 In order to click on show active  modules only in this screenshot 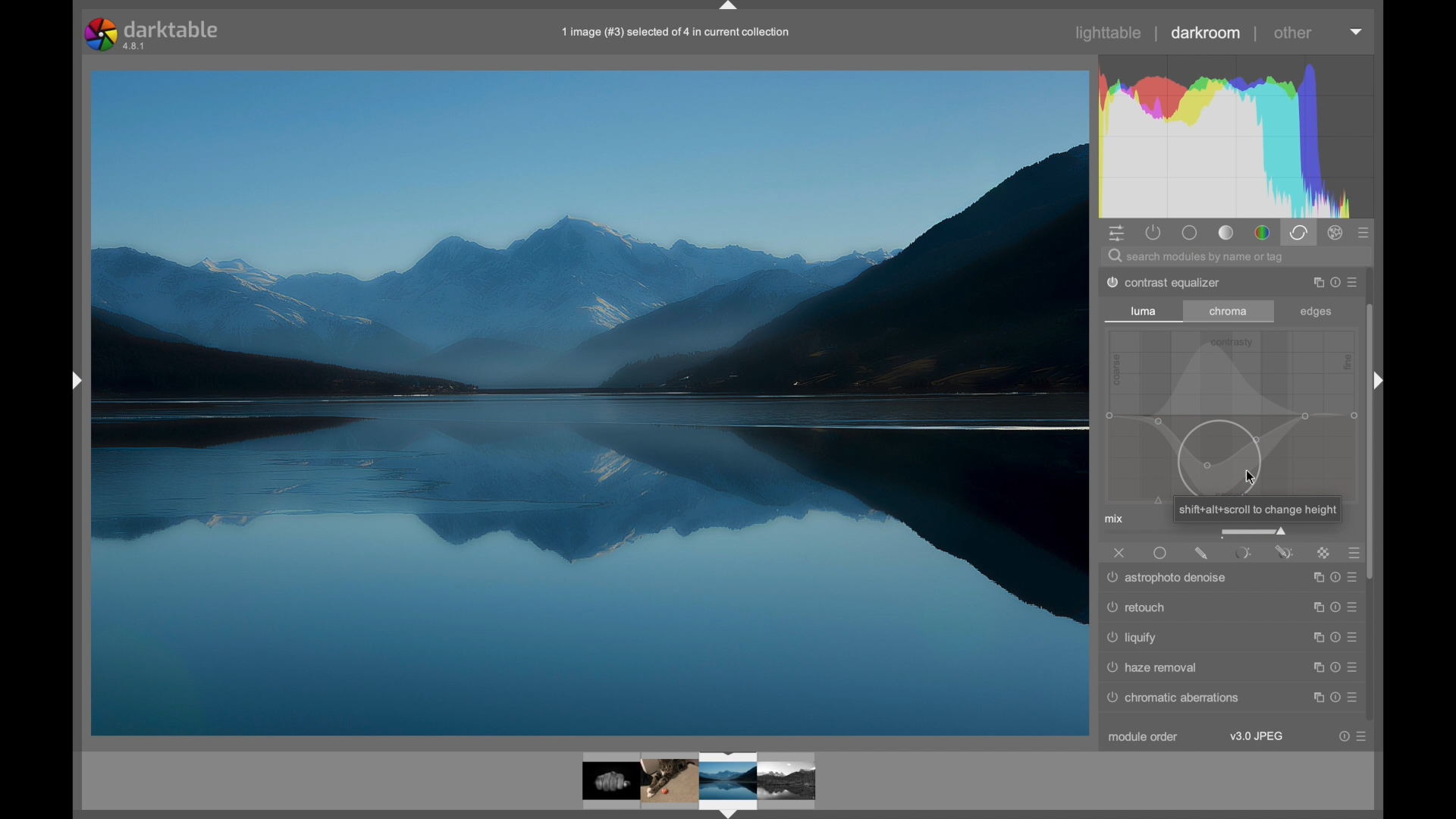, I will do `click(1154, 233)`.